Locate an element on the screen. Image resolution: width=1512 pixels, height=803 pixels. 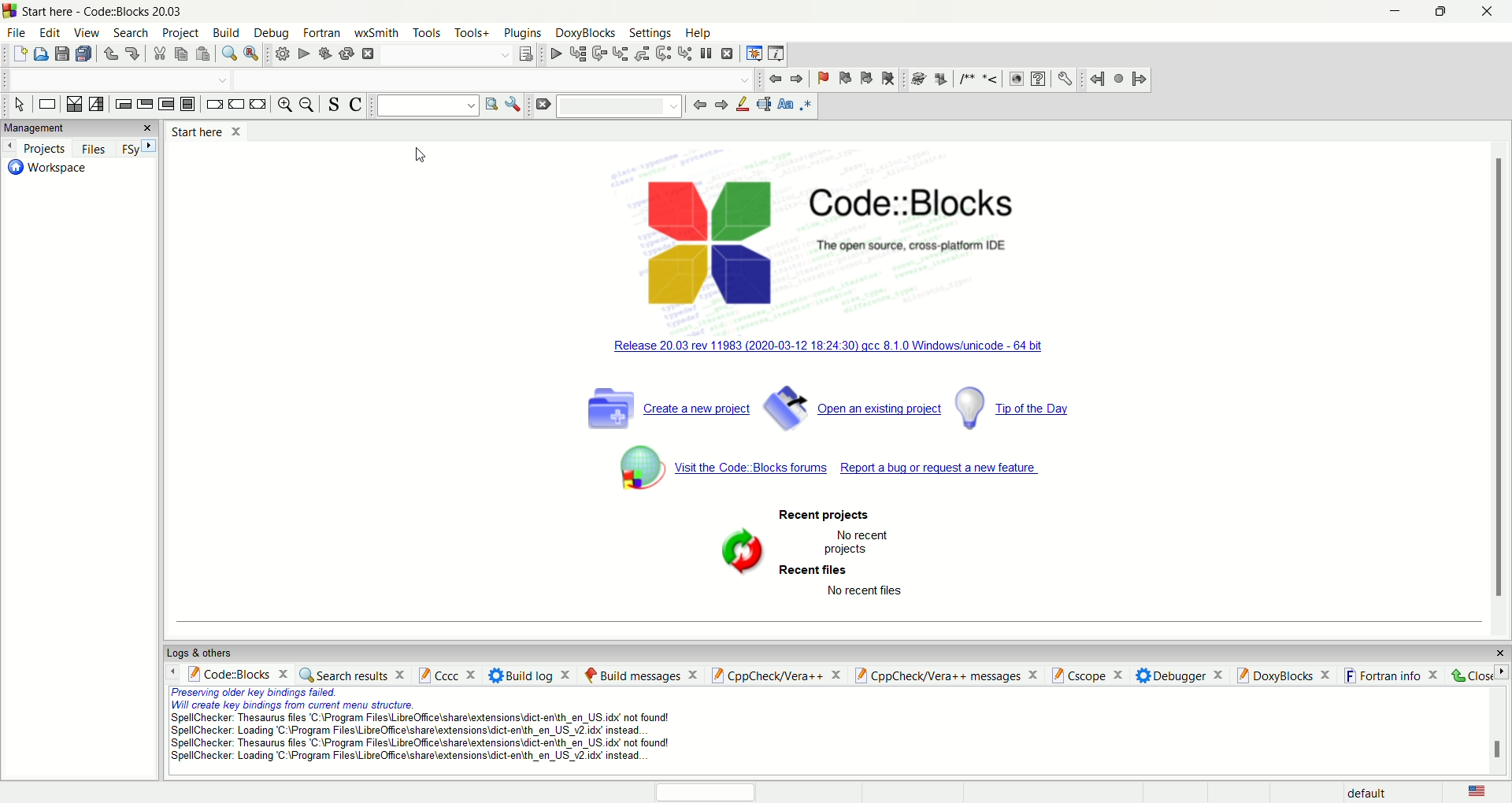
debugging windows is located at coordinates (753, 53).